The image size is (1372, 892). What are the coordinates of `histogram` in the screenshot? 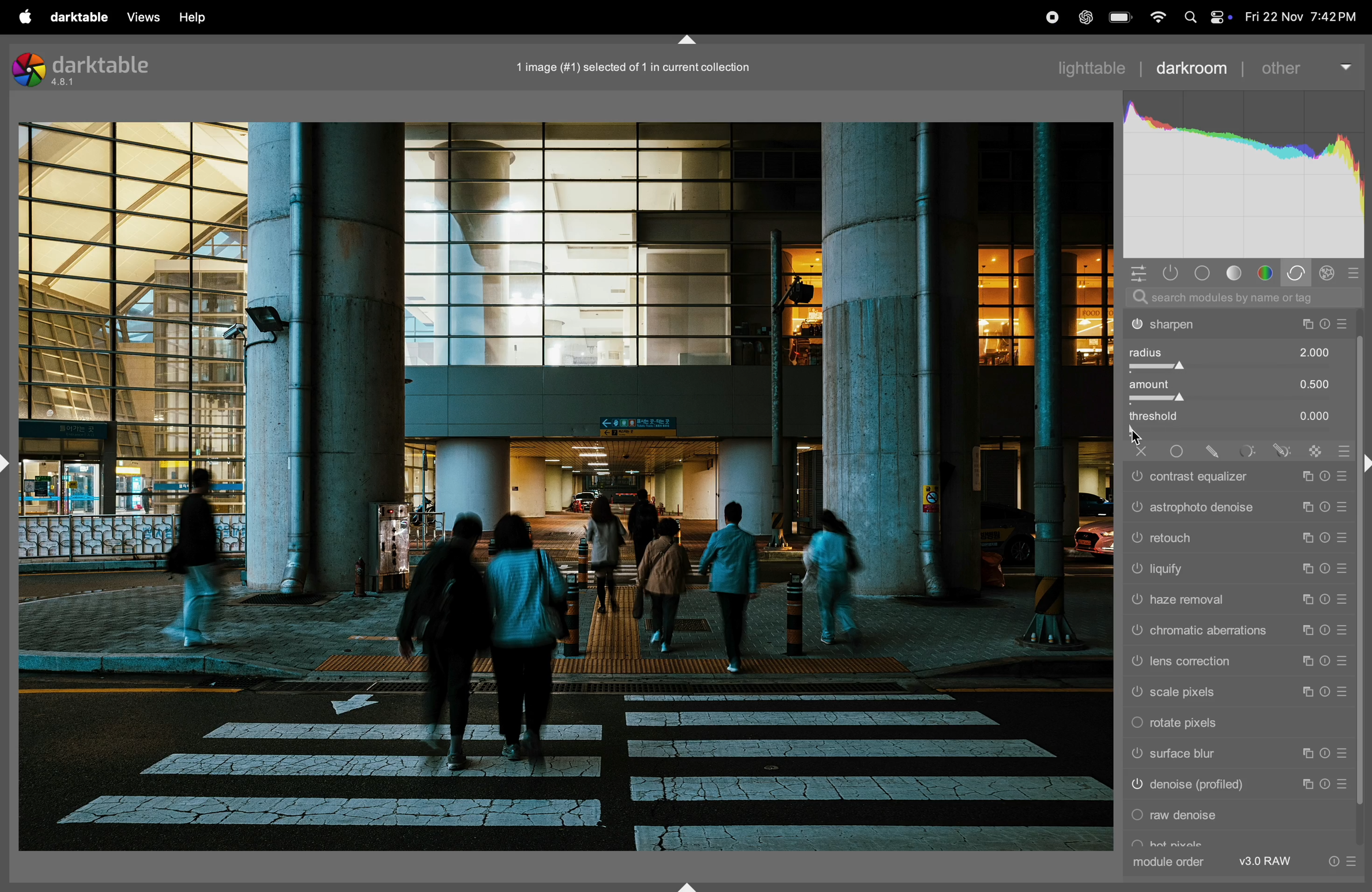 It's located at (1245, 173).